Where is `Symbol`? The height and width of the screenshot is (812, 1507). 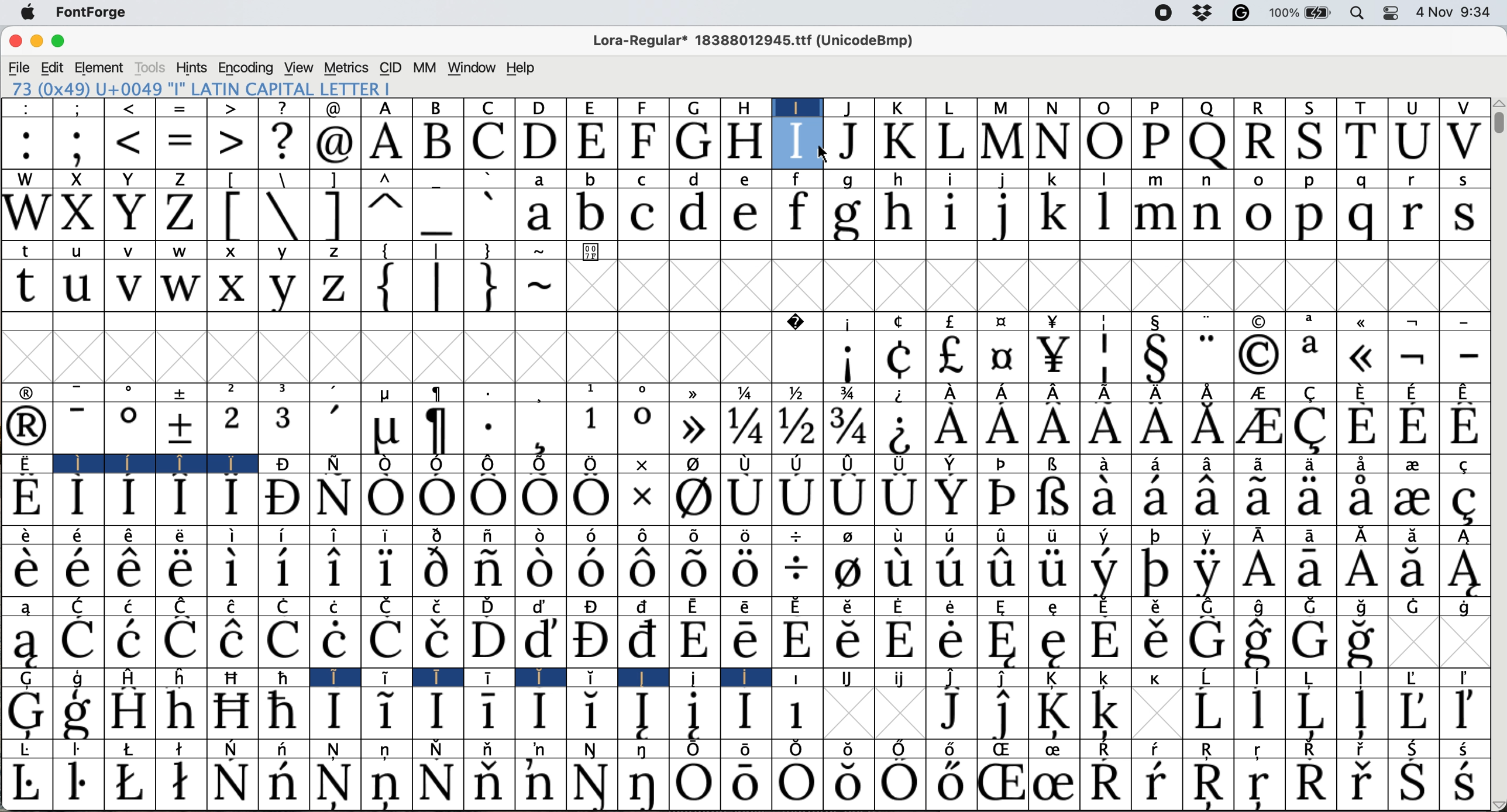
Symbol is located at coordinates (1052, 570).